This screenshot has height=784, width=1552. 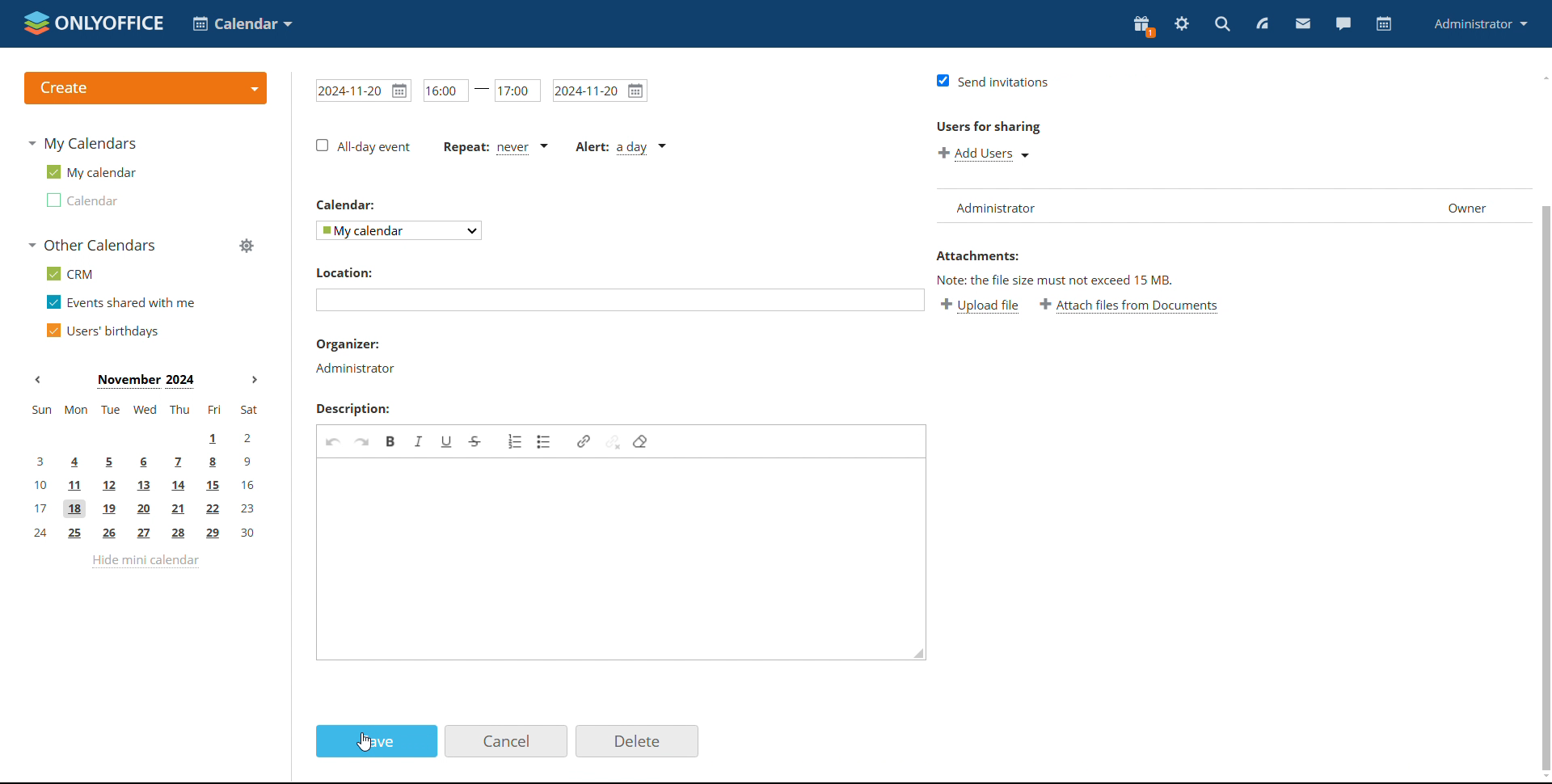 What do you see at coordinates (1480, 25) in the screenshot?
I see `profile` at bounding box center [1480, 25].